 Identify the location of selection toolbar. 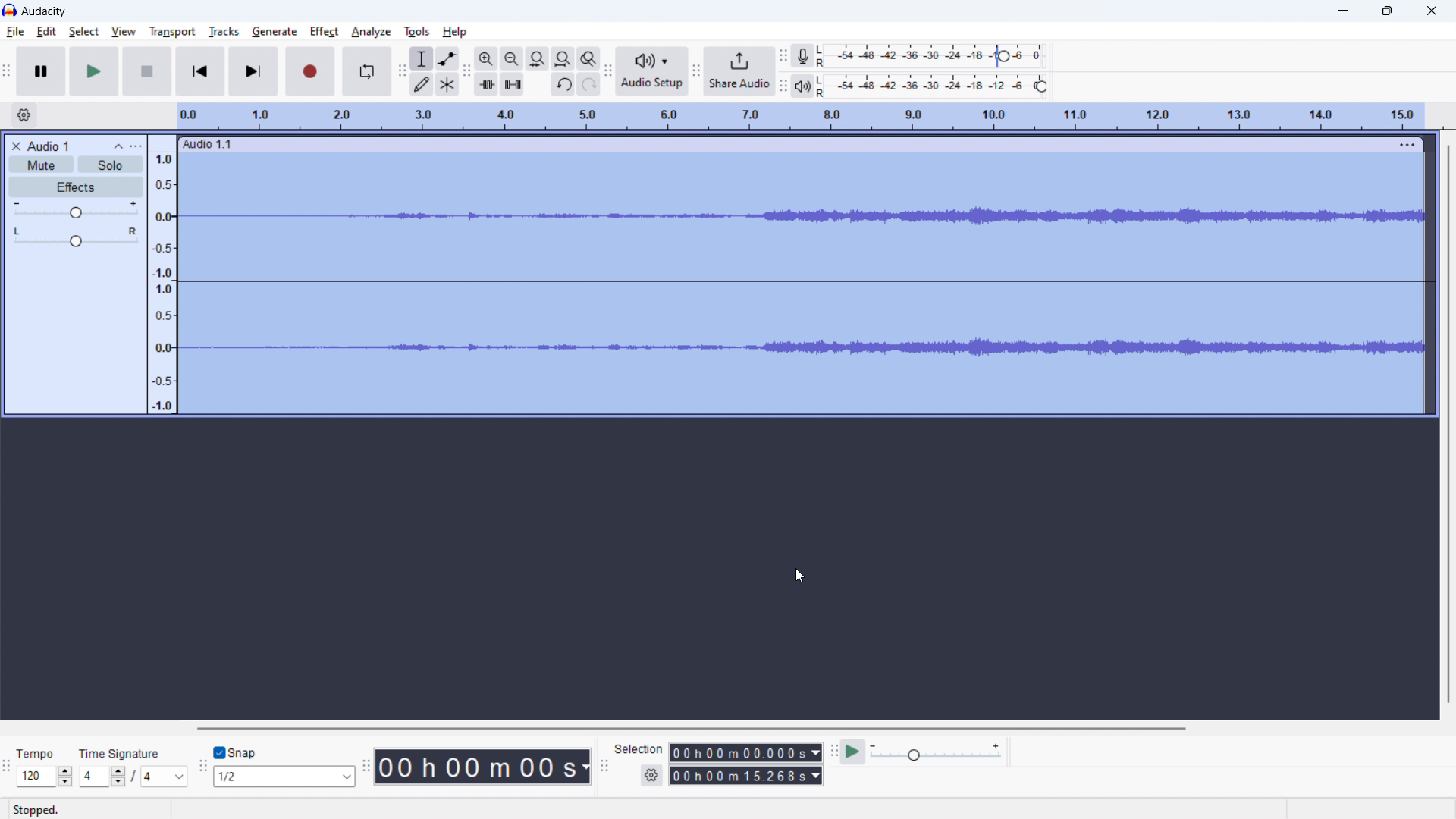
(604, 763).